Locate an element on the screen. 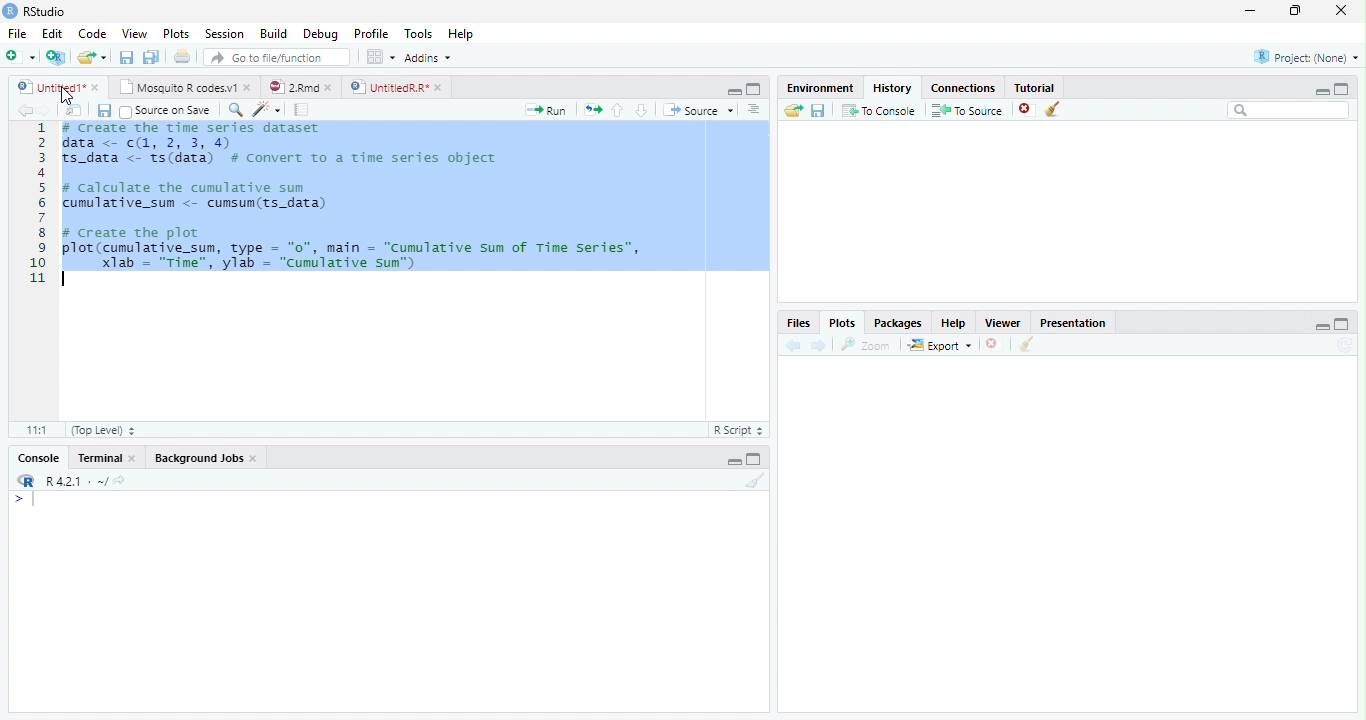  Zoom is located at coordinates (866, 345).